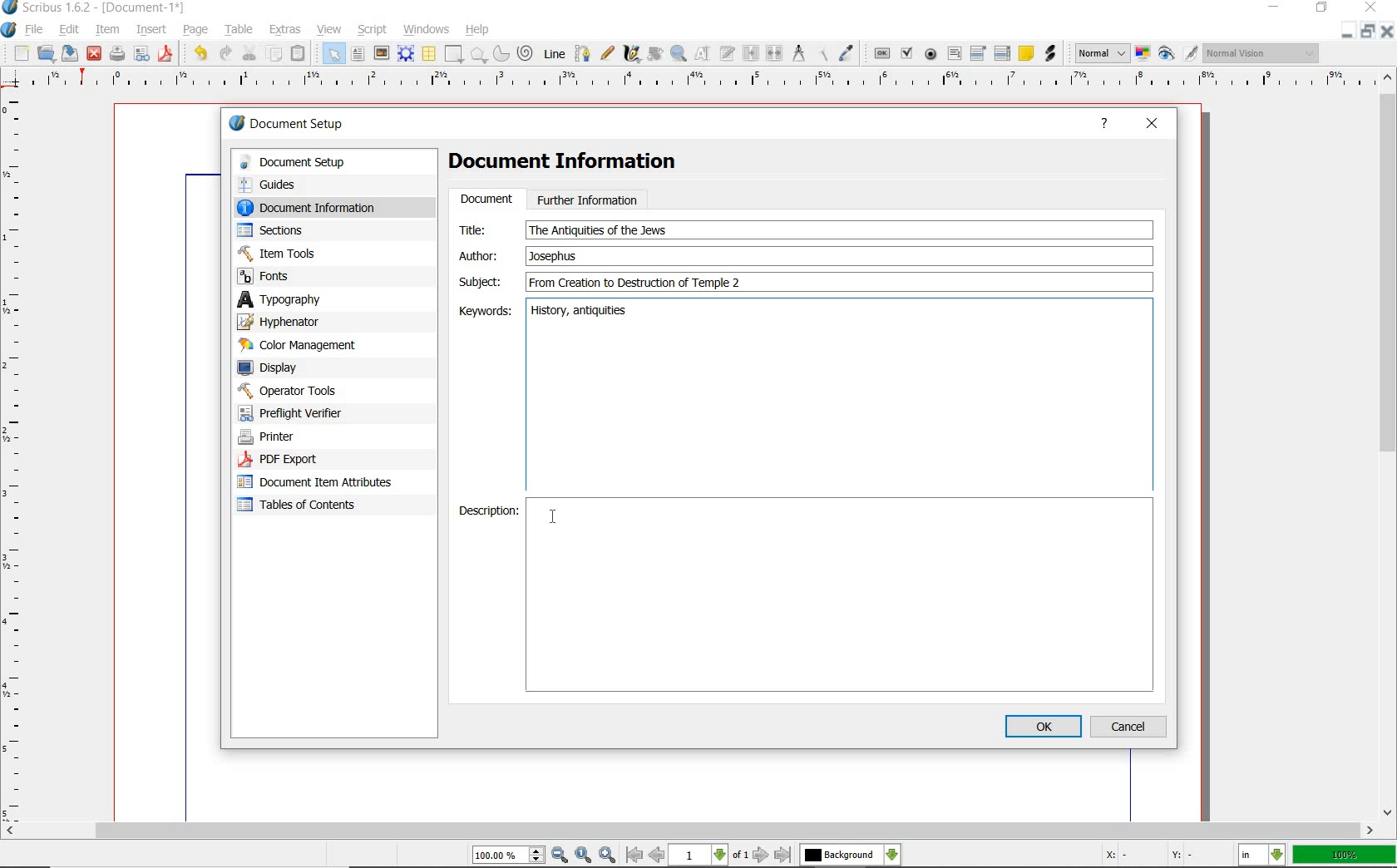 This screenshot has height=868, width=1397. Describe the element at coordinates (200, 55) in the screenshot. I see `undo` at that location.